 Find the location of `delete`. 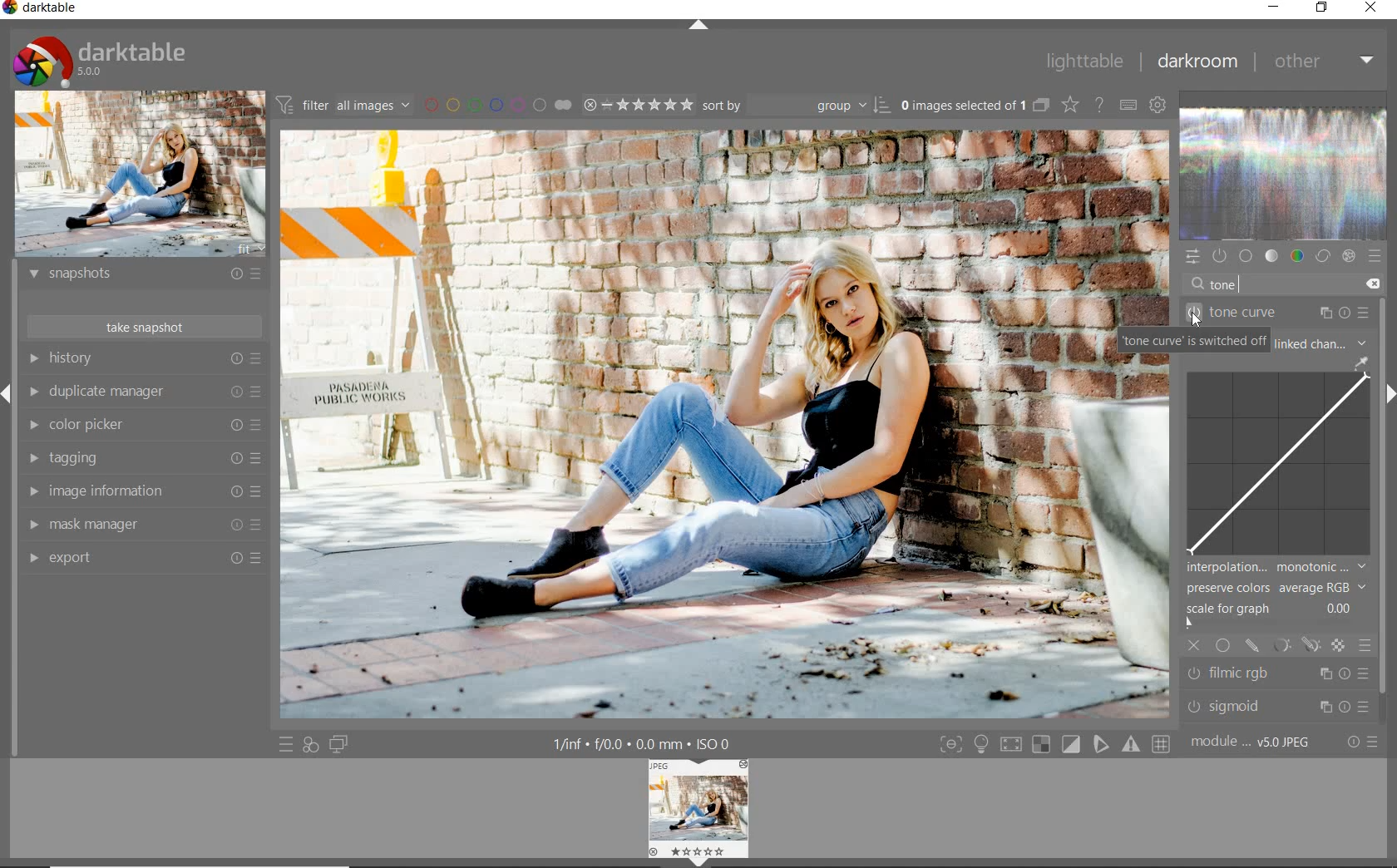

delete is located at coordinates (1373, 283).